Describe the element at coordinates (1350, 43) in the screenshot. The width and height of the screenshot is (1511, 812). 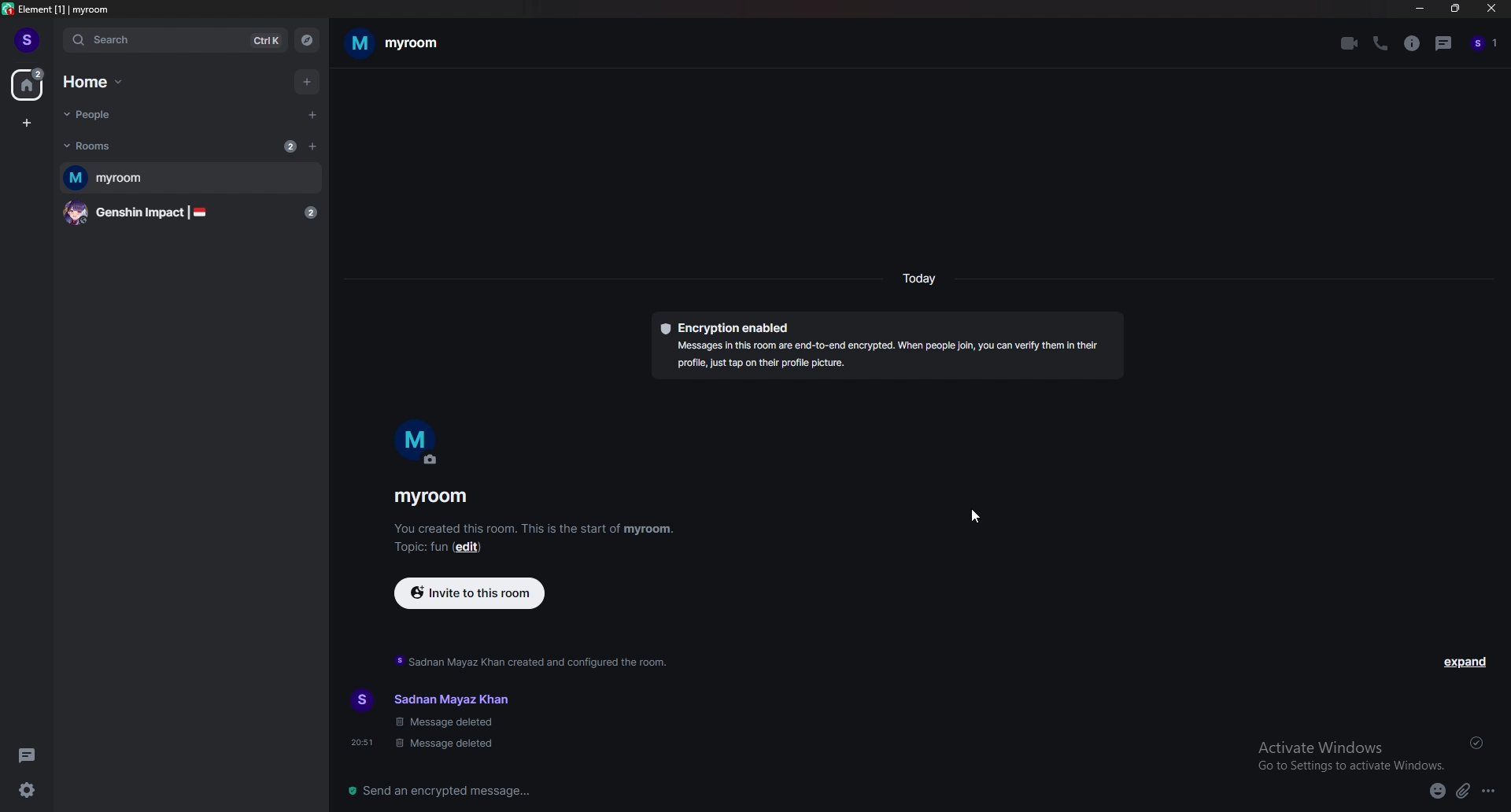
I see `video call` at that location.